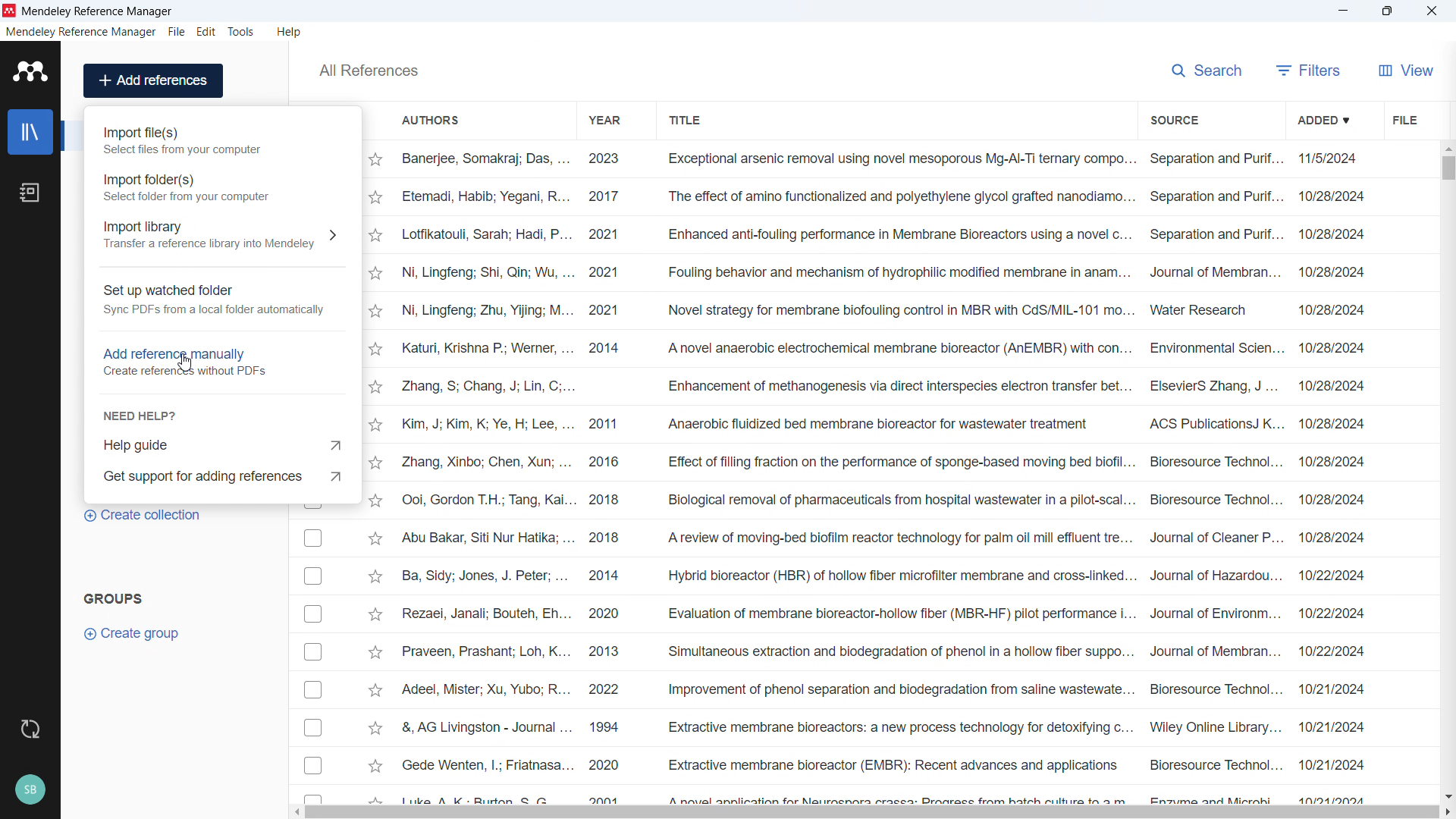 Image resolution: width=1456 pixels, height=819 pixels. Describe the element at coordinates (1406, 70) in the screenshot. I see `View ` at that location.